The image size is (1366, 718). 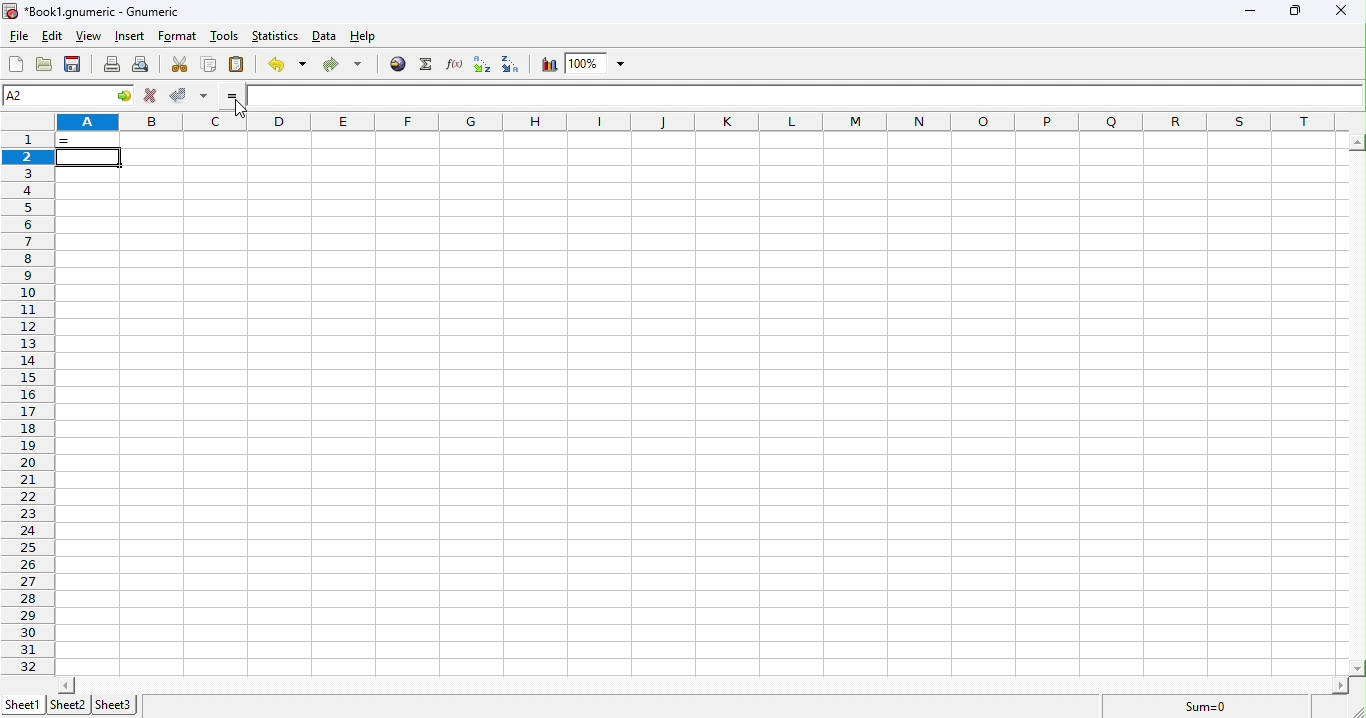 I want to click on select function, so click(x=429, y=65).